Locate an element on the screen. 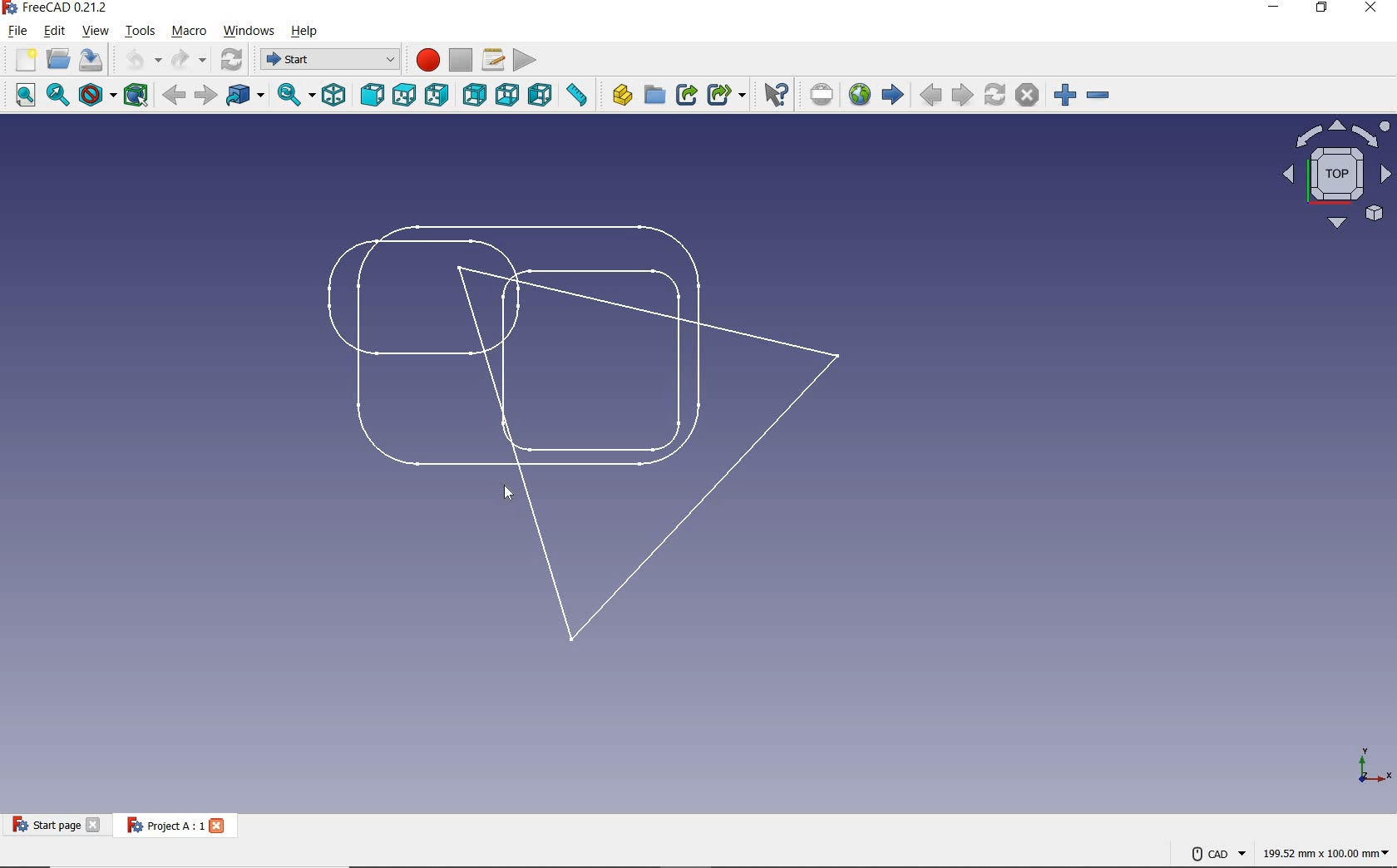 This screenshot has width=1397, height=868. FIT ALL is located at coordinates (21, 94).